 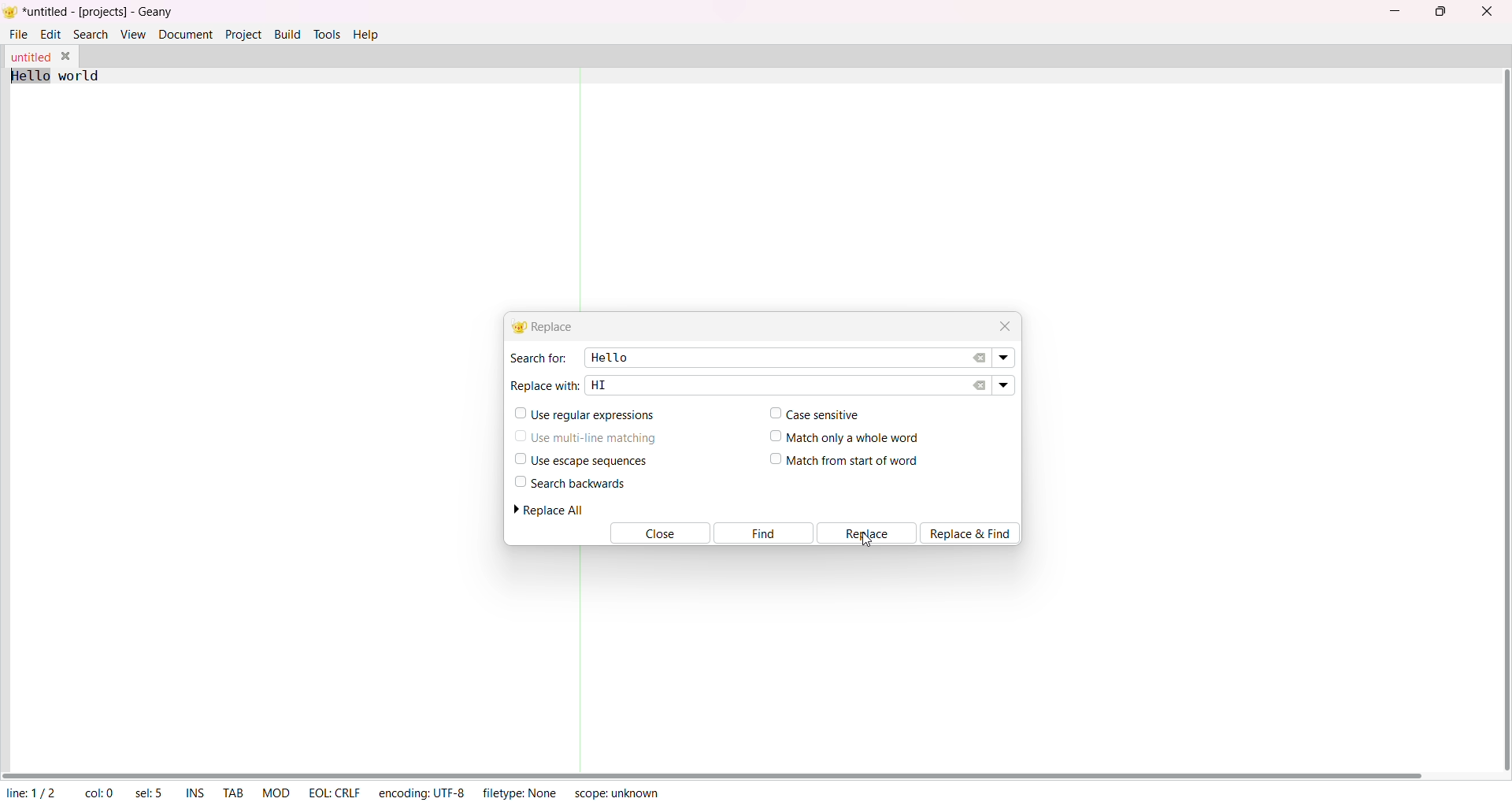 What do you see at coordinates (68, 76) in the screenshot?
I see `Hello world` at bounding box center [68, 76].